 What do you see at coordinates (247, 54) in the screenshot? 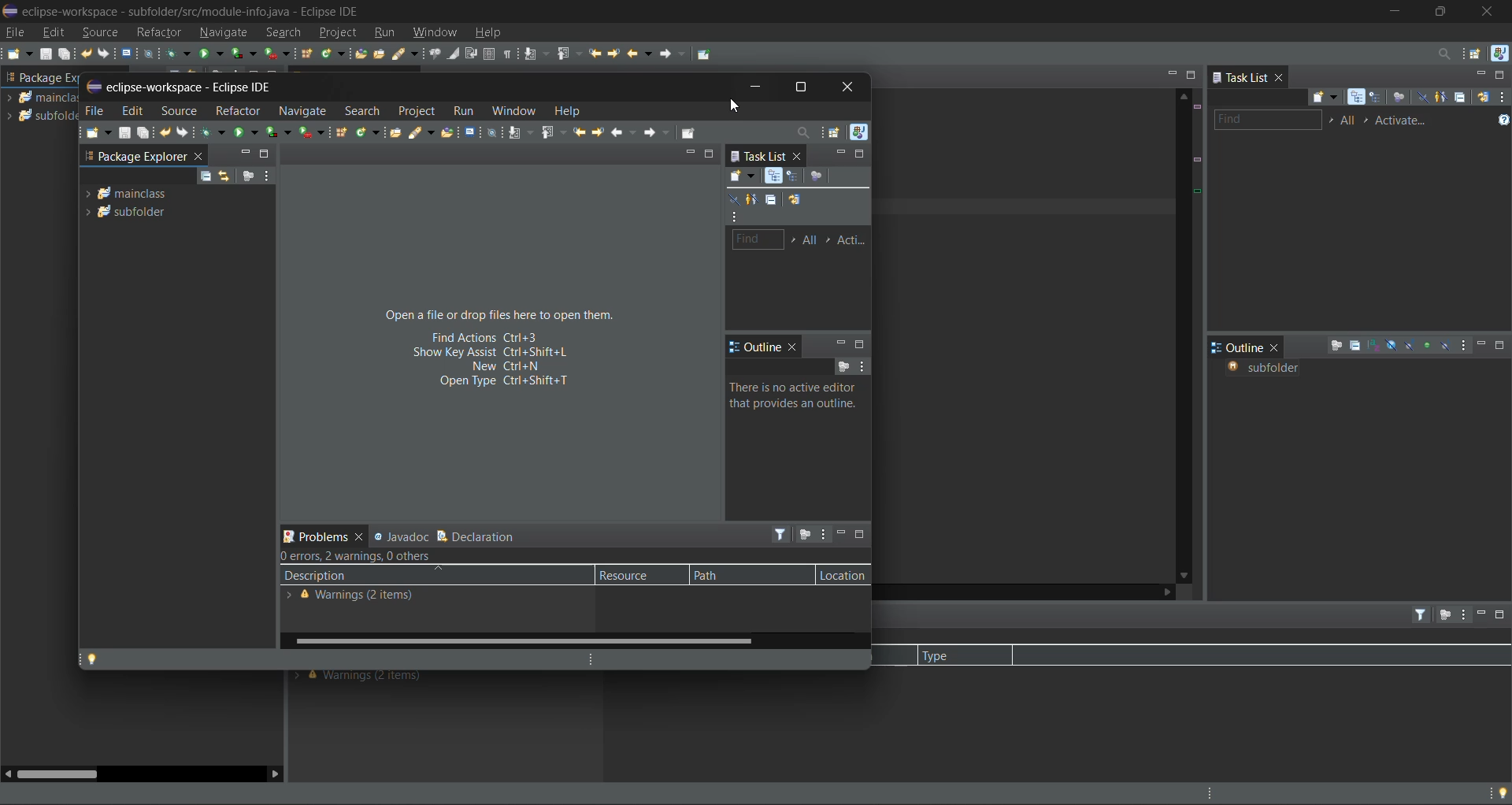
I see `coverage` at bounding box center [247, 54].